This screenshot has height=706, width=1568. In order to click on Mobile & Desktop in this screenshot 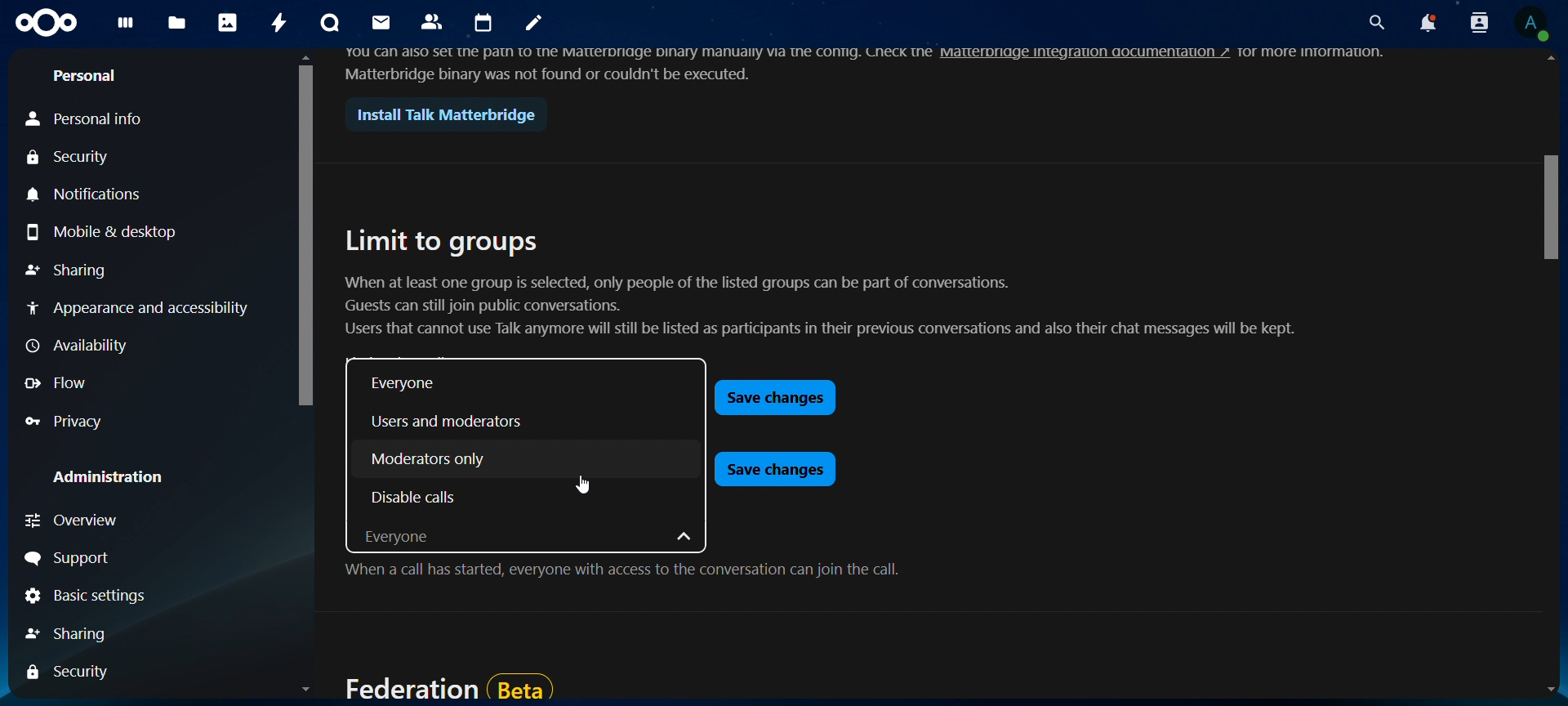, I will do `click(106, 235)`.